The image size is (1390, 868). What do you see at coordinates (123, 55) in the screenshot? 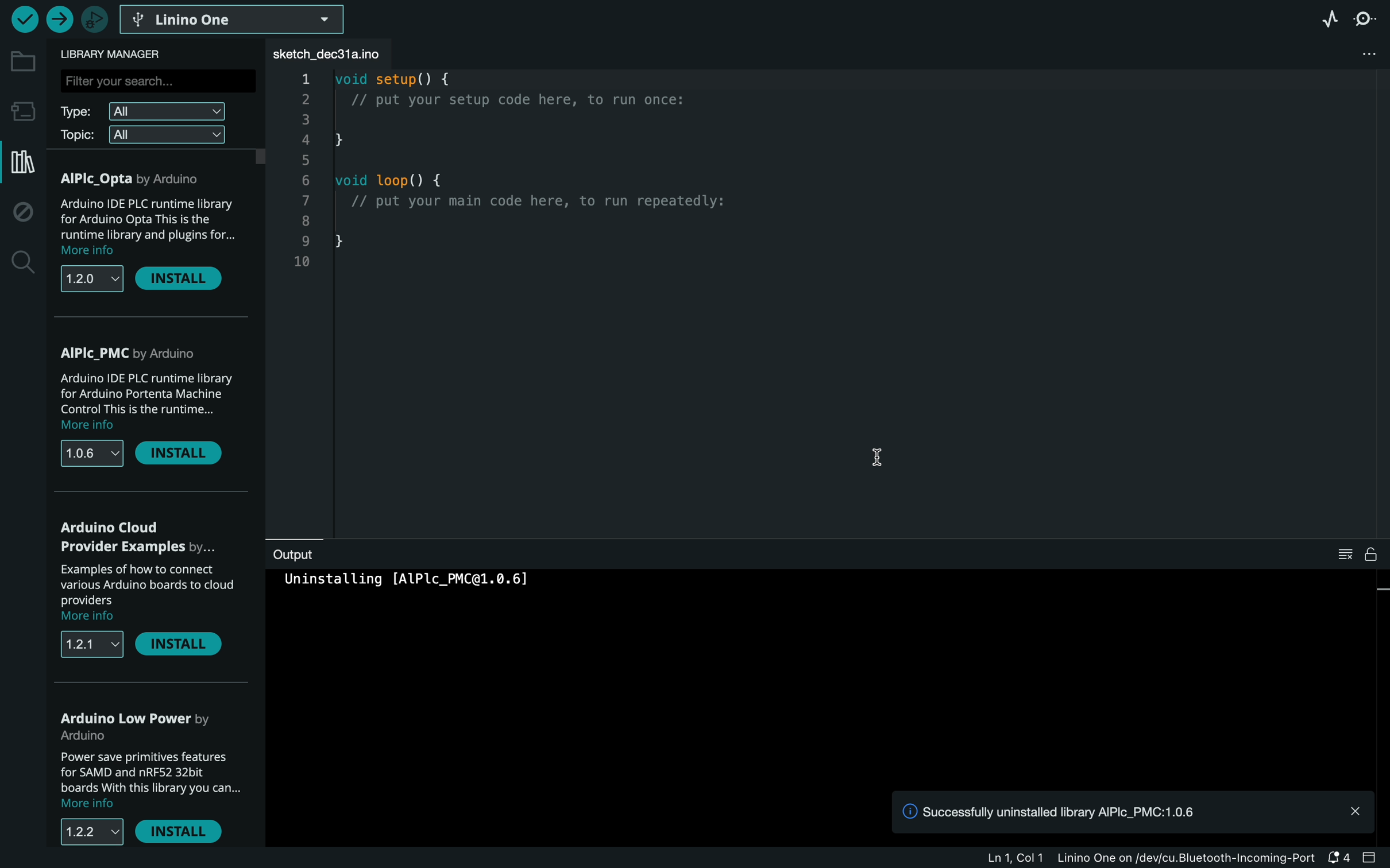
I see `library manager` at bounding box center [123, 55].